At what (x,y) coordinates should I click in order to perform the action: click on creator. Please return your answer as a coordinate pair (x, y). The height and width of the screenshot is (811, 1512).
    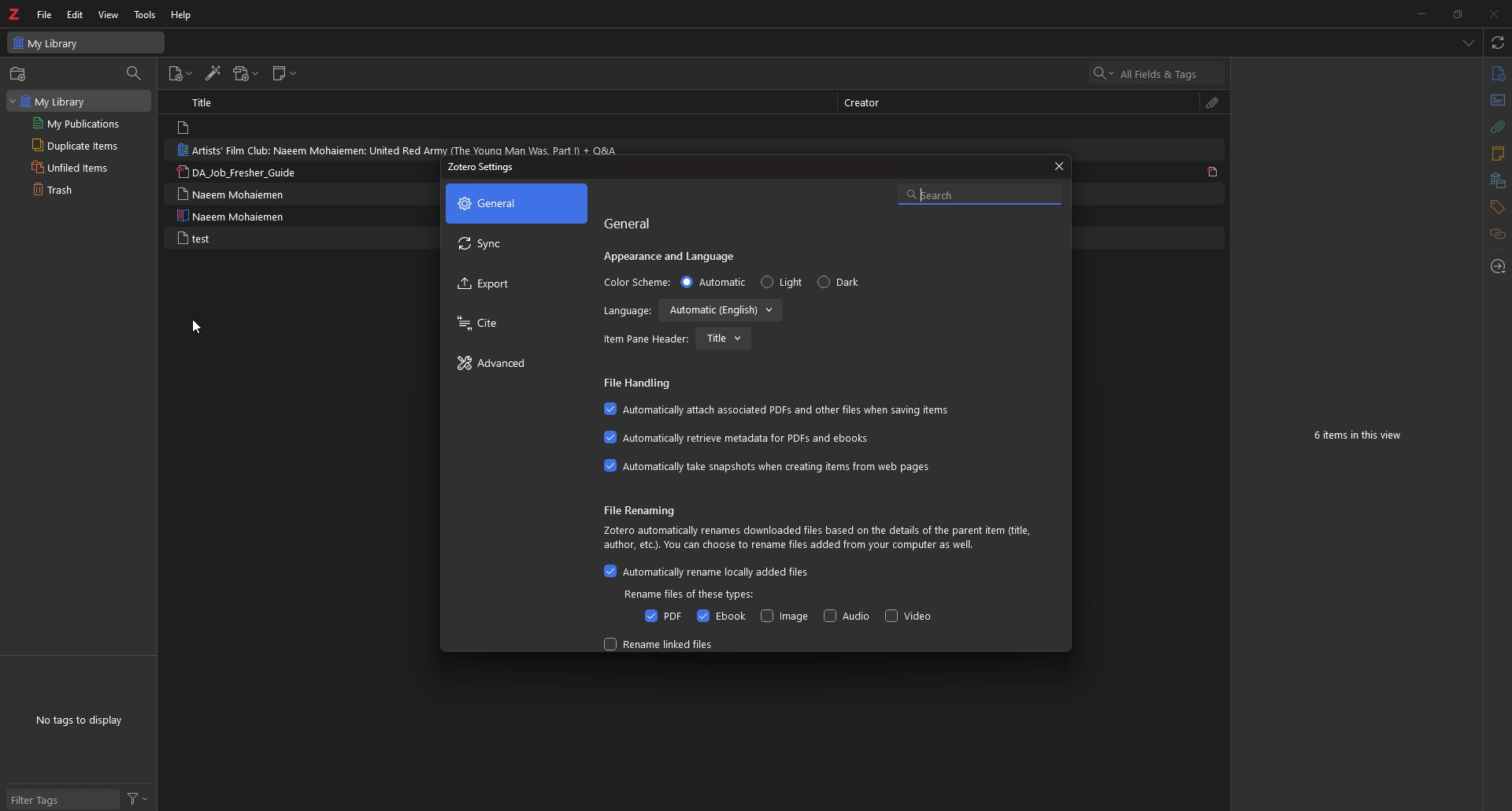
    Looking at the image, I should click on (863, 103).